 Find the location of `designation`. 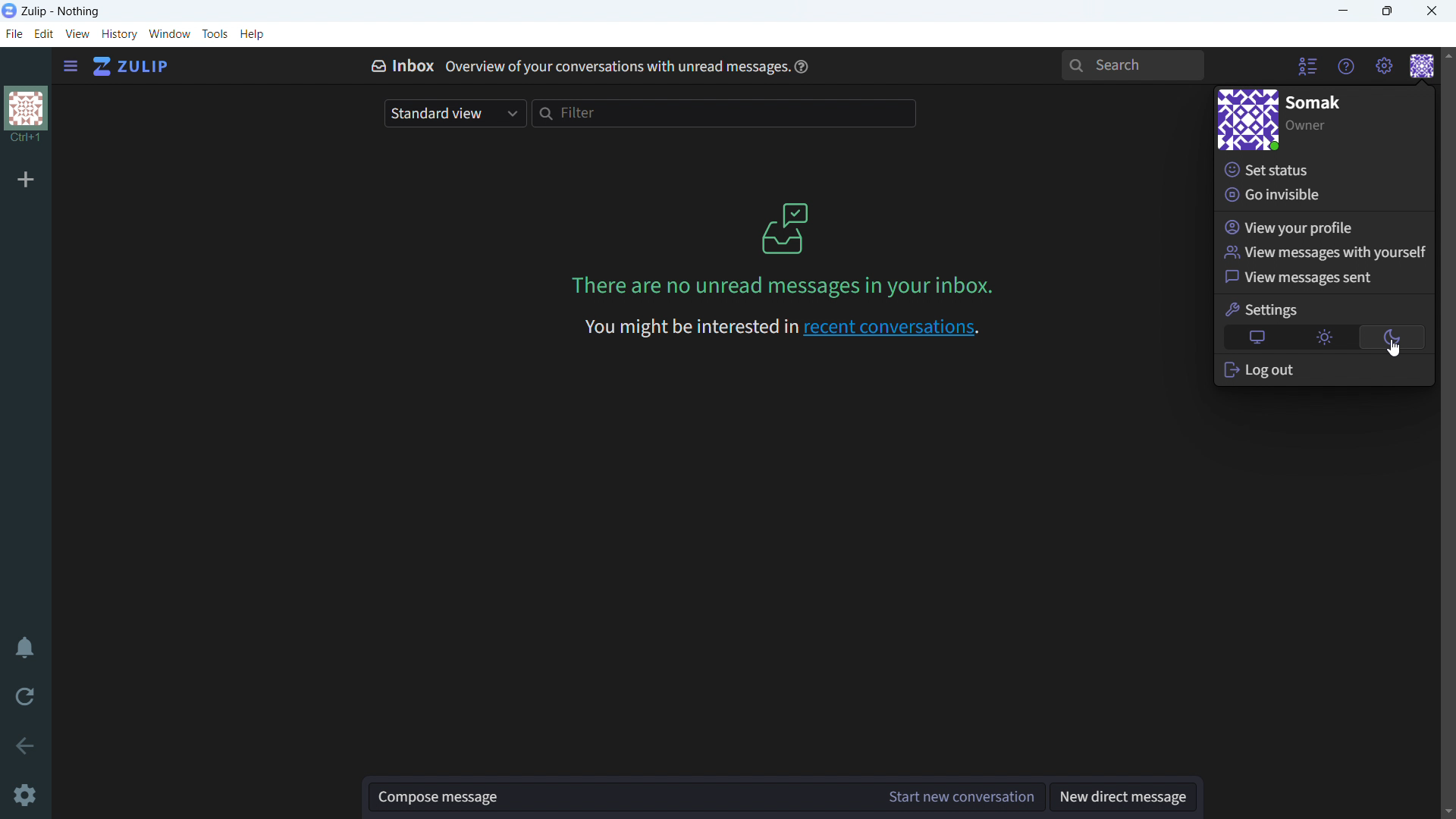

designation is located at coordinates (1306, 126).